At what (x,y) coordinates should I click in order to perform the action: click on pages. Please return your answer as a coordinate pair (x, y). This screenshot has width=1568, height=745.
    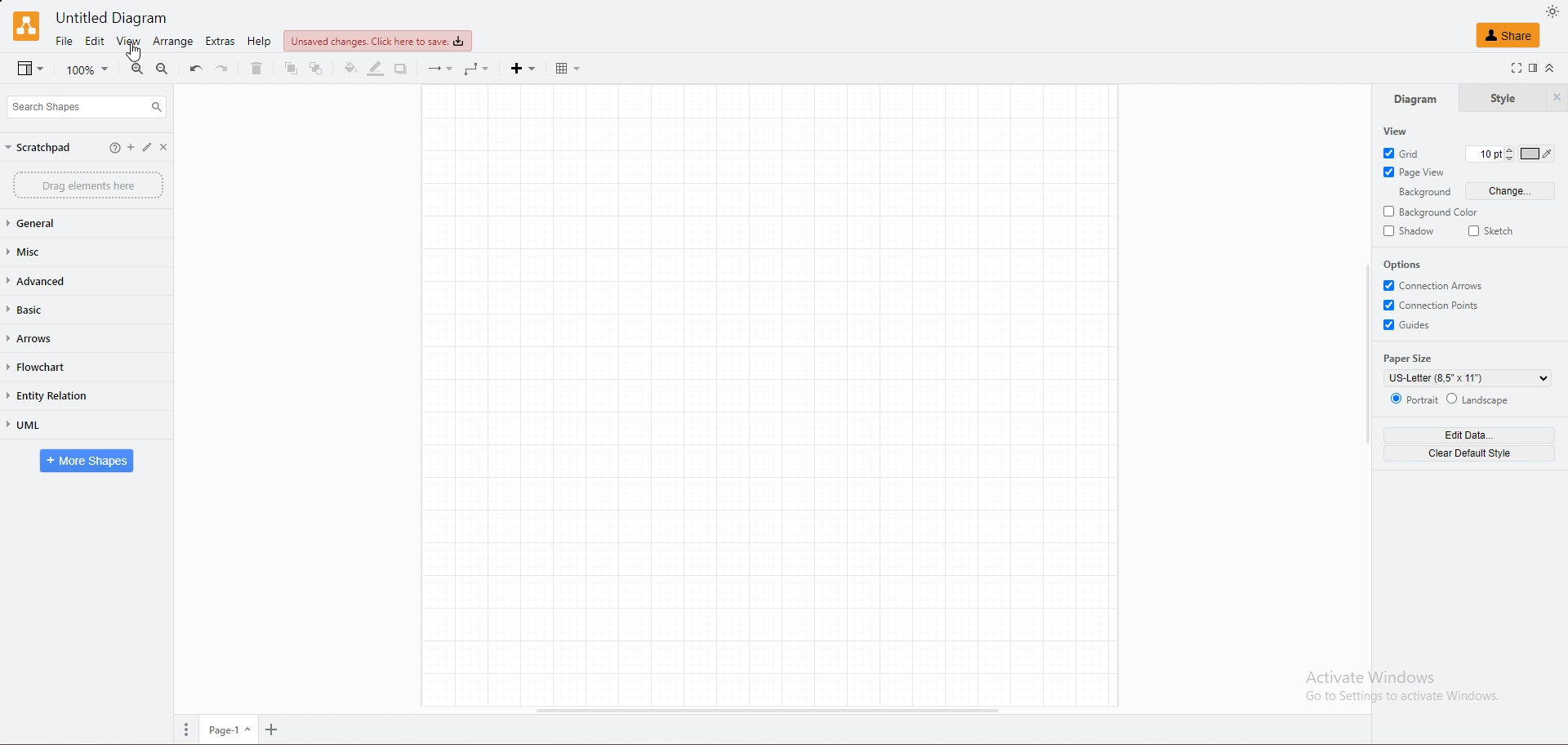
    Looking at the image, I should click on (187, 729).